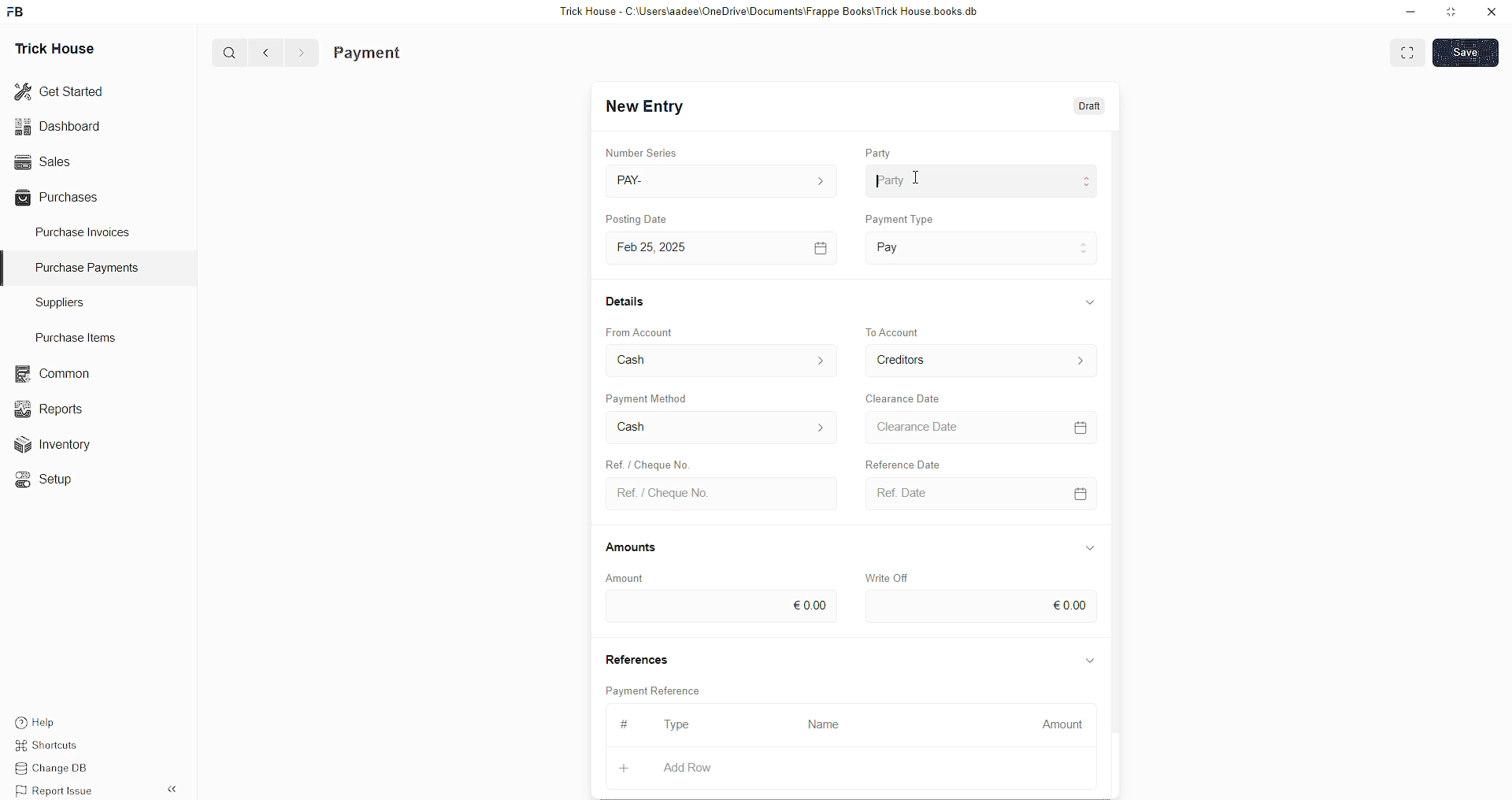 The image size is (1512, 800). Describe the element at coordinates (663, 247) in the screenshot. I see `Feb 25, 2025` at that location.